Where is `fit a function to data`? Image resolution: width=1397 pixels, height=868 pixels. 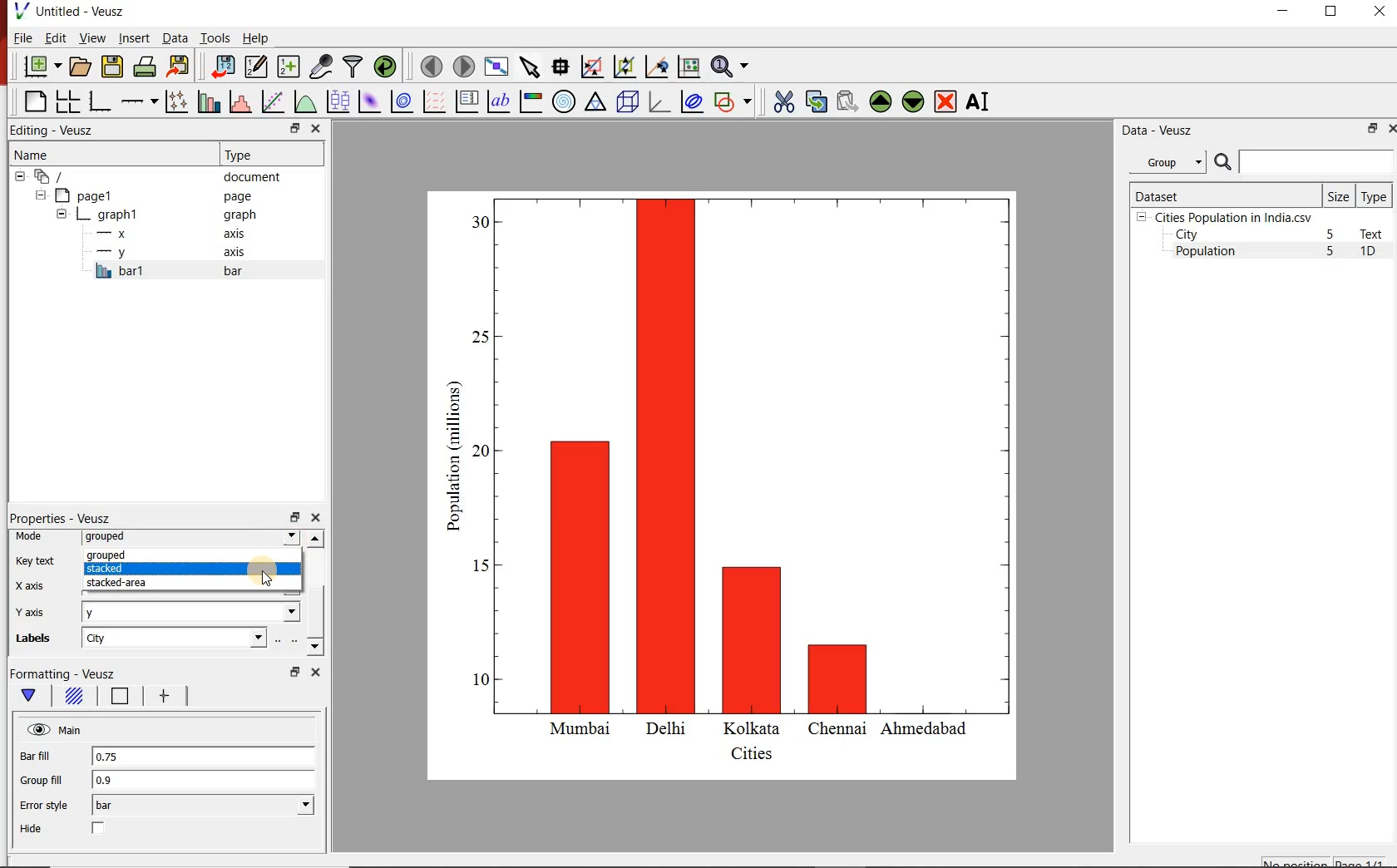
fit a function to data is located at coordinates (272, 101).